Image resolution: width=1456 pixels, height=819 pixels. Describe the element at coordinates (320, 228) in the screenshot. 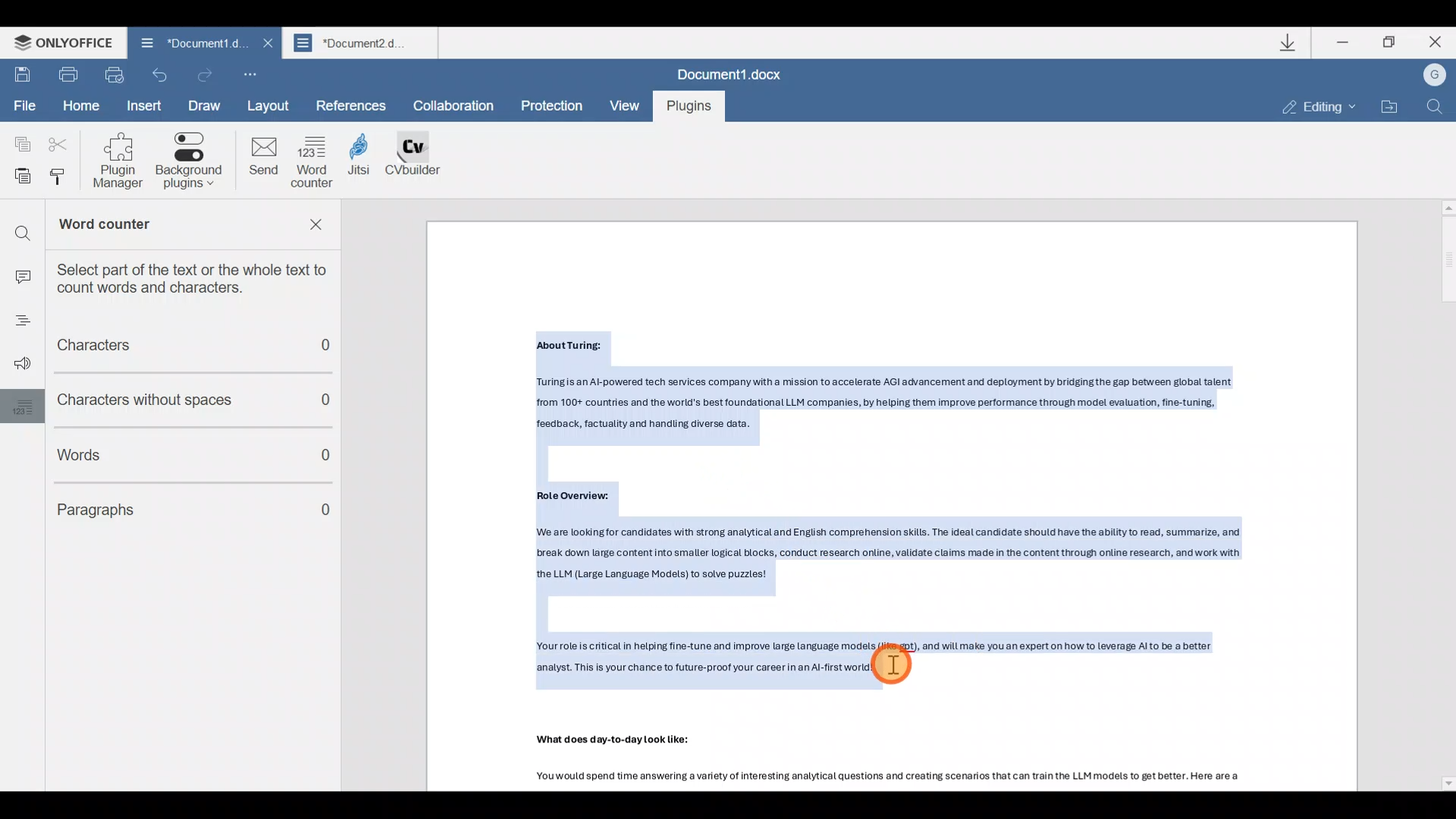

I see `Remove` at that location.